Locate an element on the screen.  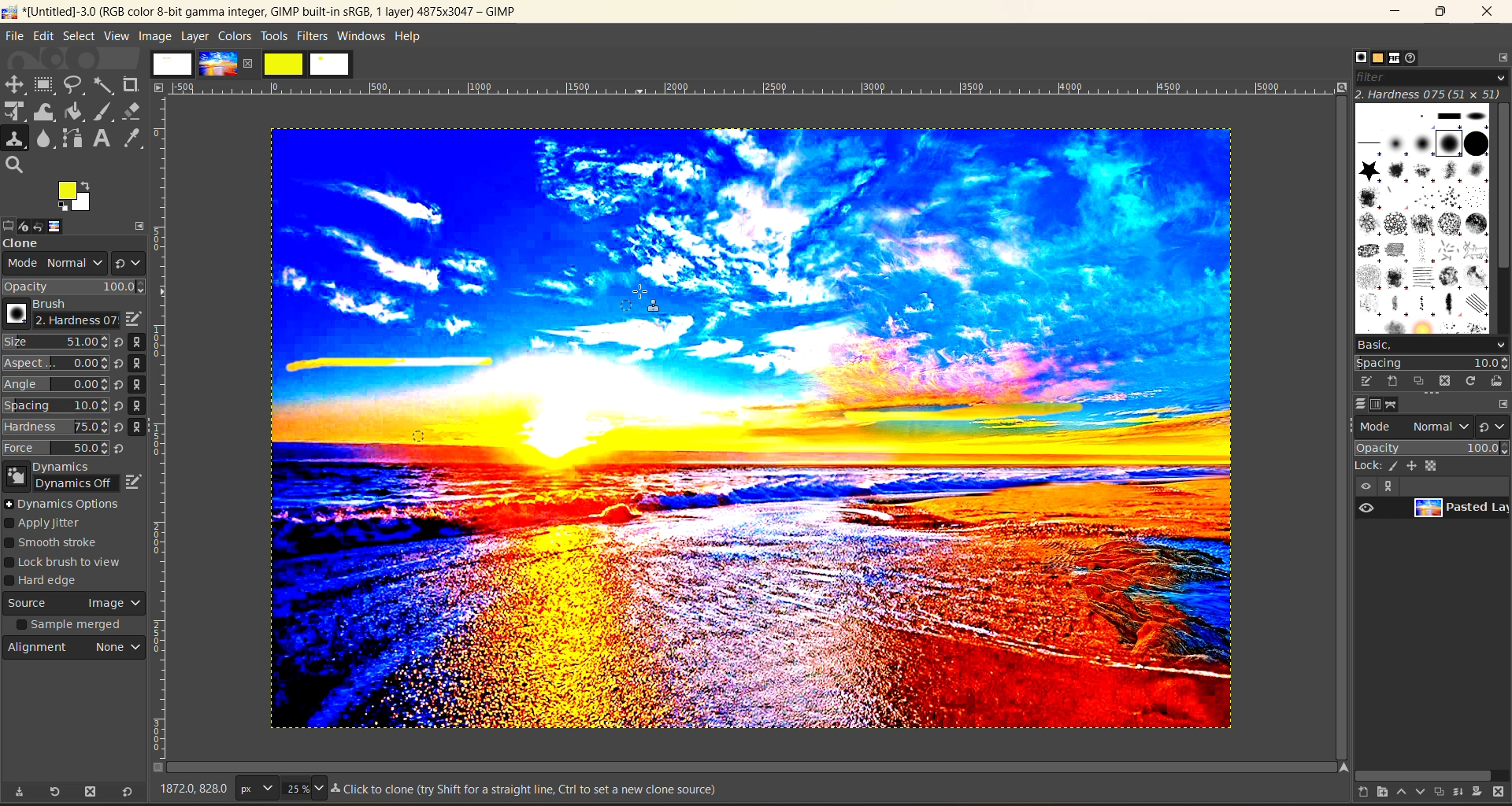
help is located at coordinates (412, 35).